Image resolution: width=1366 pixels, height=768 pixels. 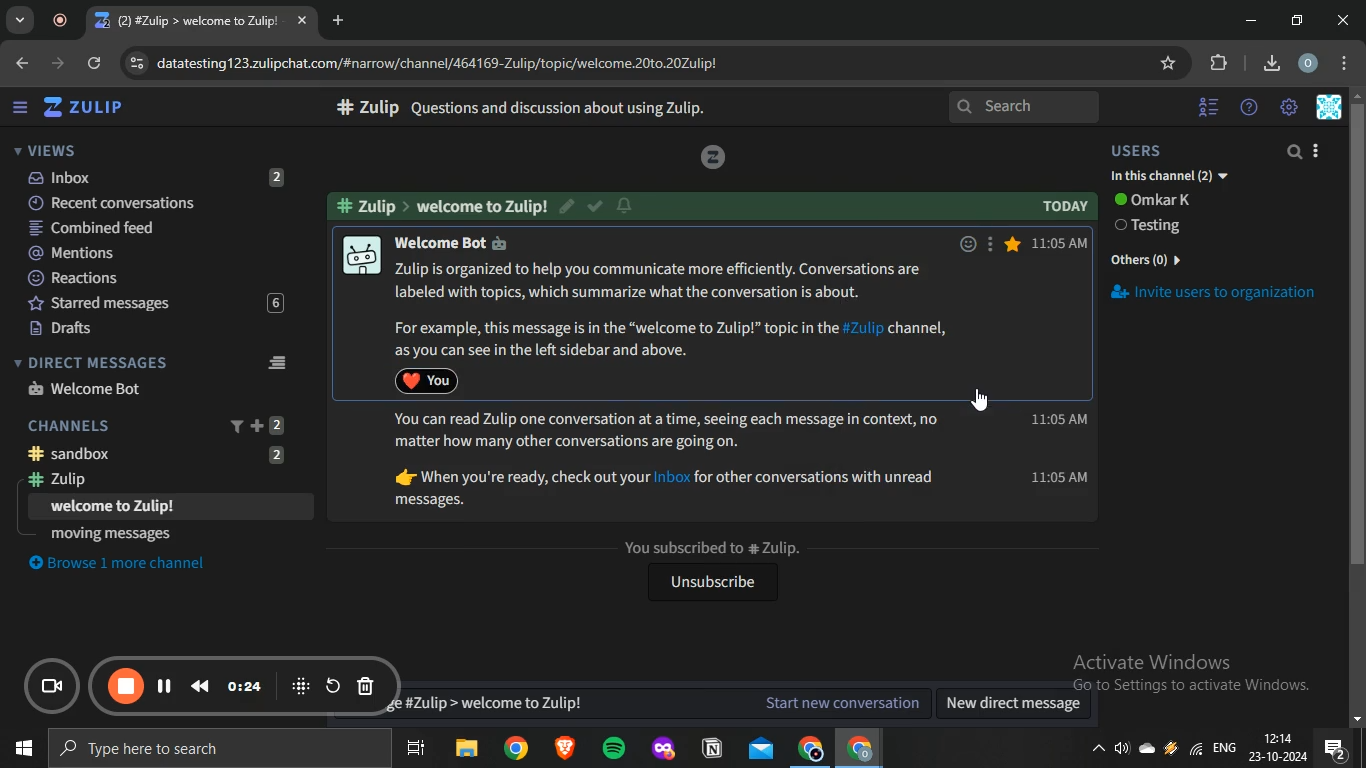 I want to click on text, so click(x=444, y=205).